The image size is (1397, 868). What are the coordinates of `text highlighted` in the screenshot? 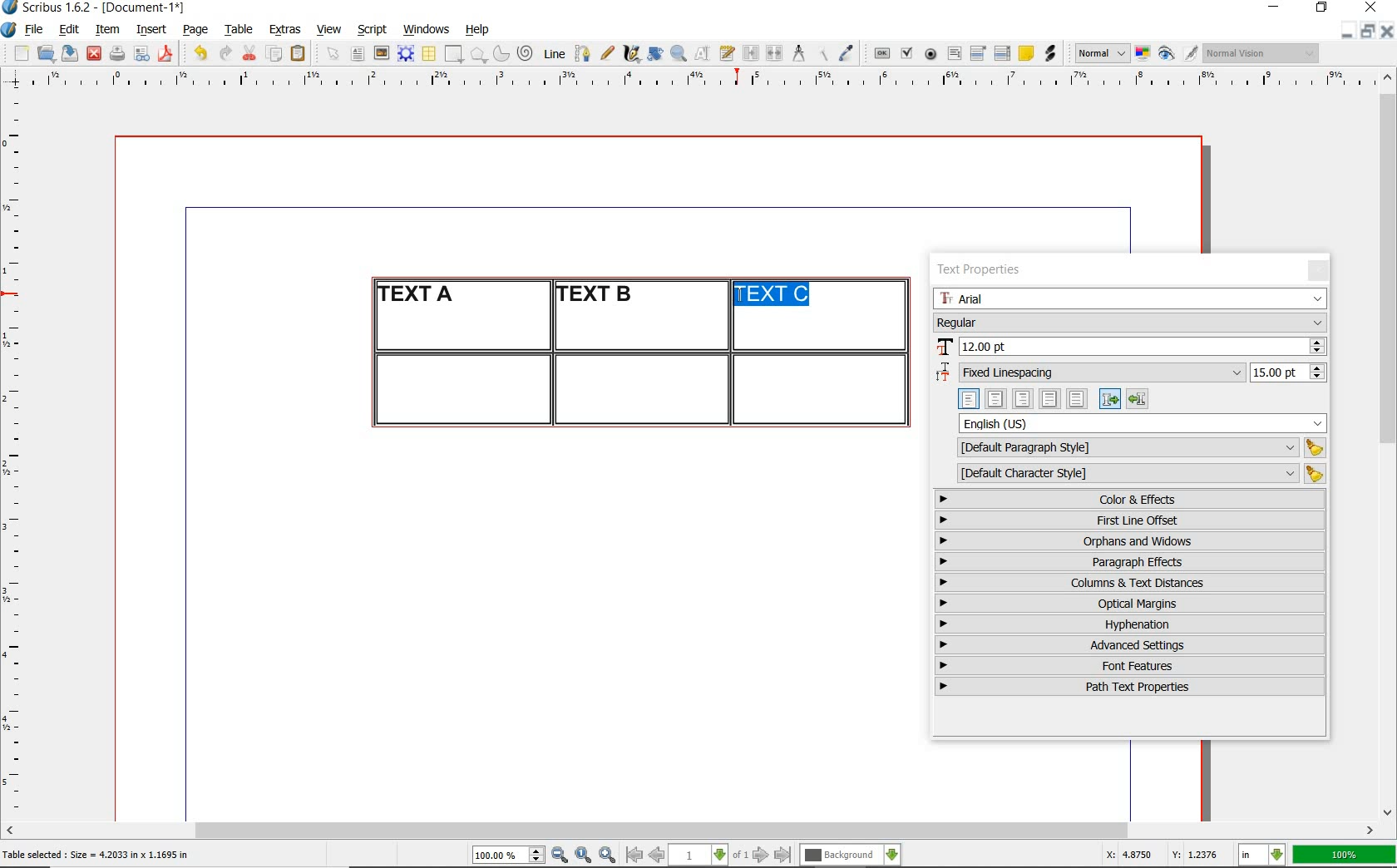 It's located at (773, 294).